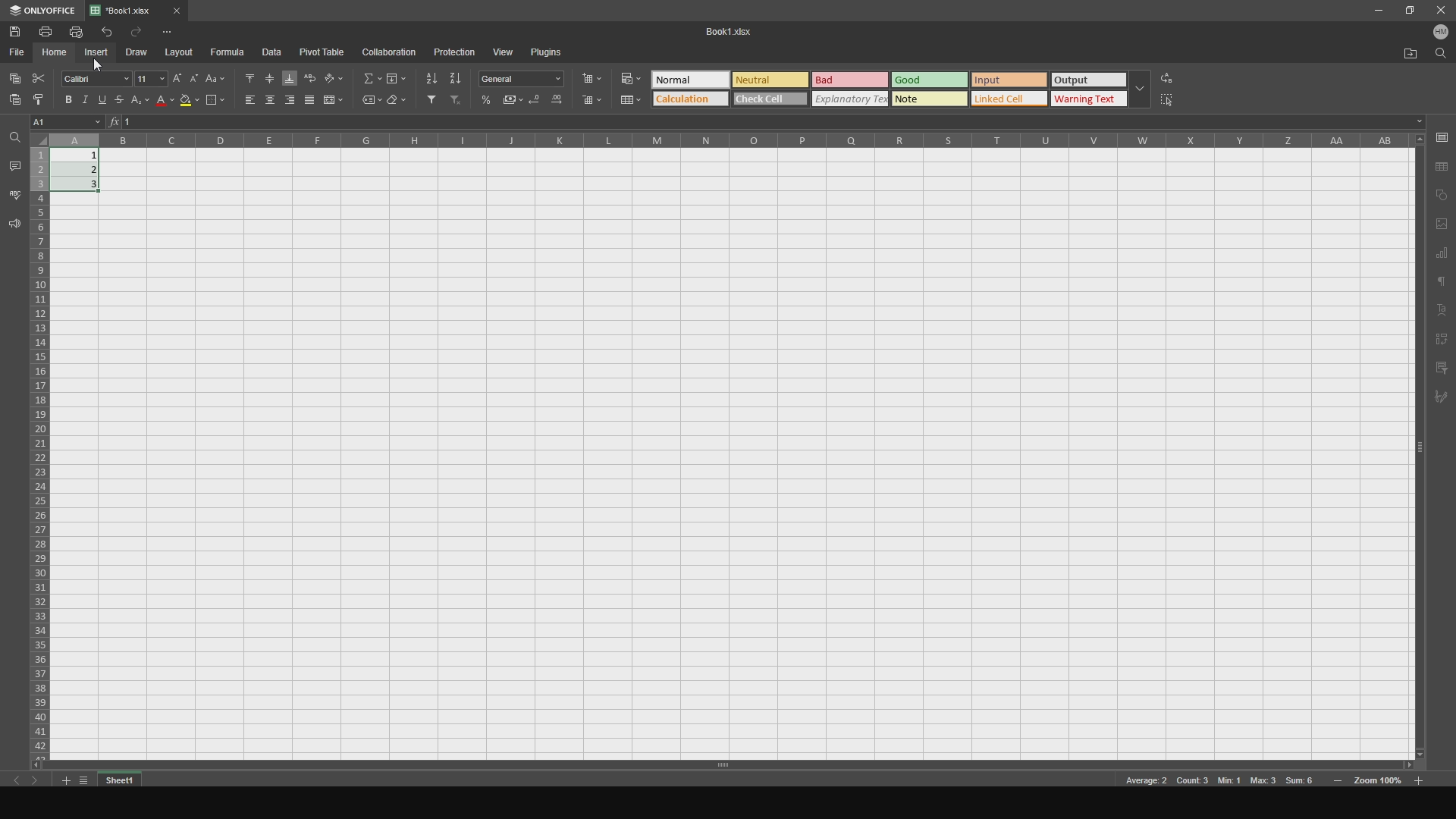 This screenshot has height=819, width=1456. What do you see at coordinates (456, 77) in the screenshot?
I see `sort descending` at bounding box center [456, 77].